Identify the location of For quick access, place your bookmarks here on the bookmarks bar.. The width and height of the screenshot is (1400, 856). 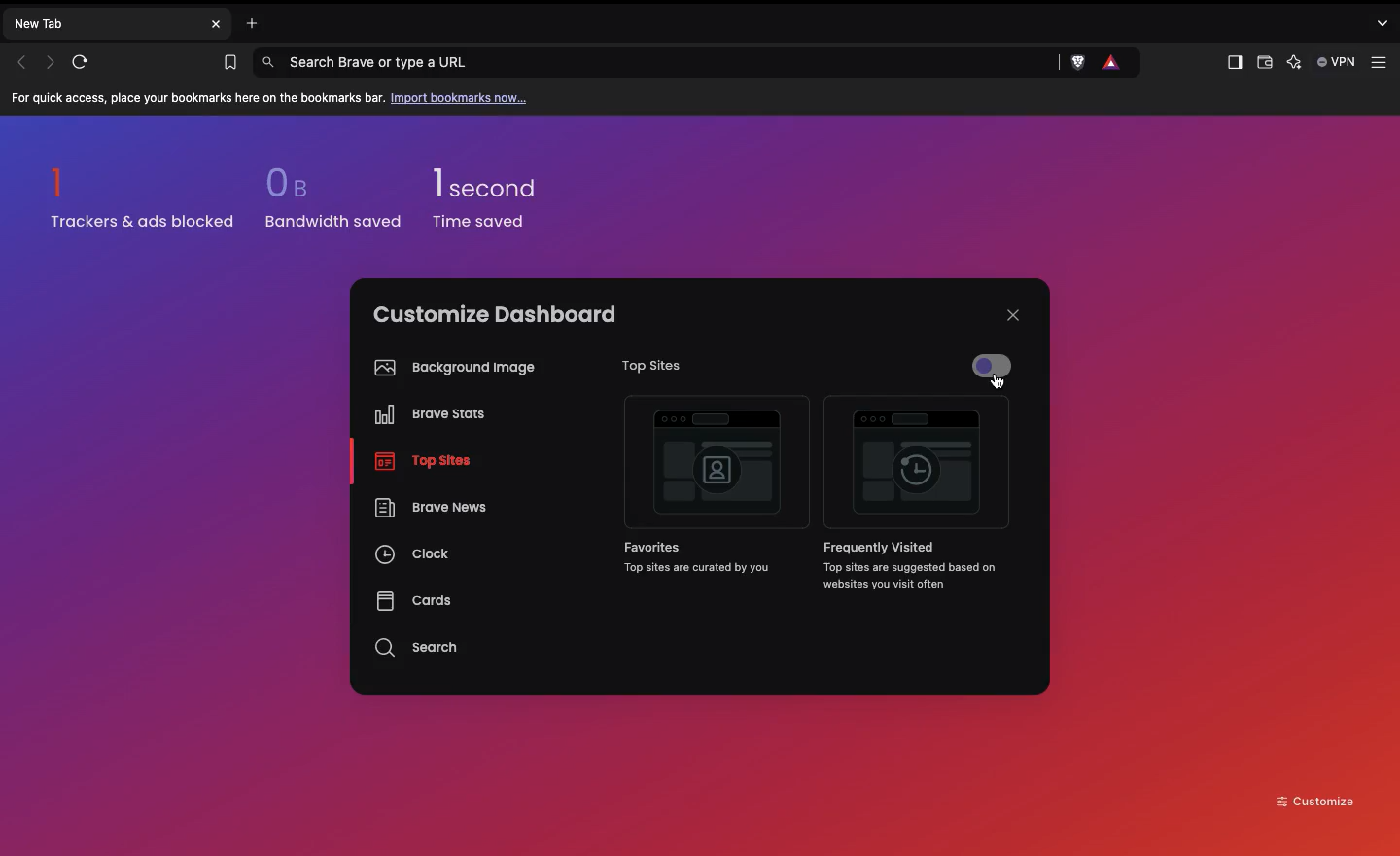
(198, 99).